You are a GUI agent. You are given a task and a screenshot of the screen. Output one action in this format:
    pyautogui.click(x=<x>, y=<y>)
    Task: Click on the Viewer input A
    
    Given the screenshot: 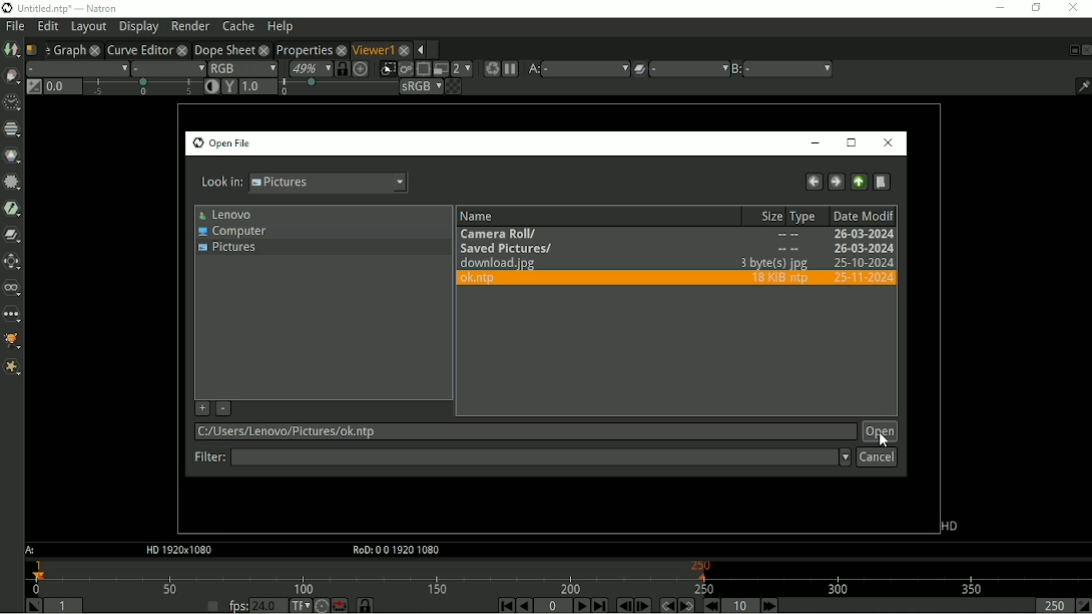 What is the action you would take?
    pyautogui.click(x=532, y=69)
    